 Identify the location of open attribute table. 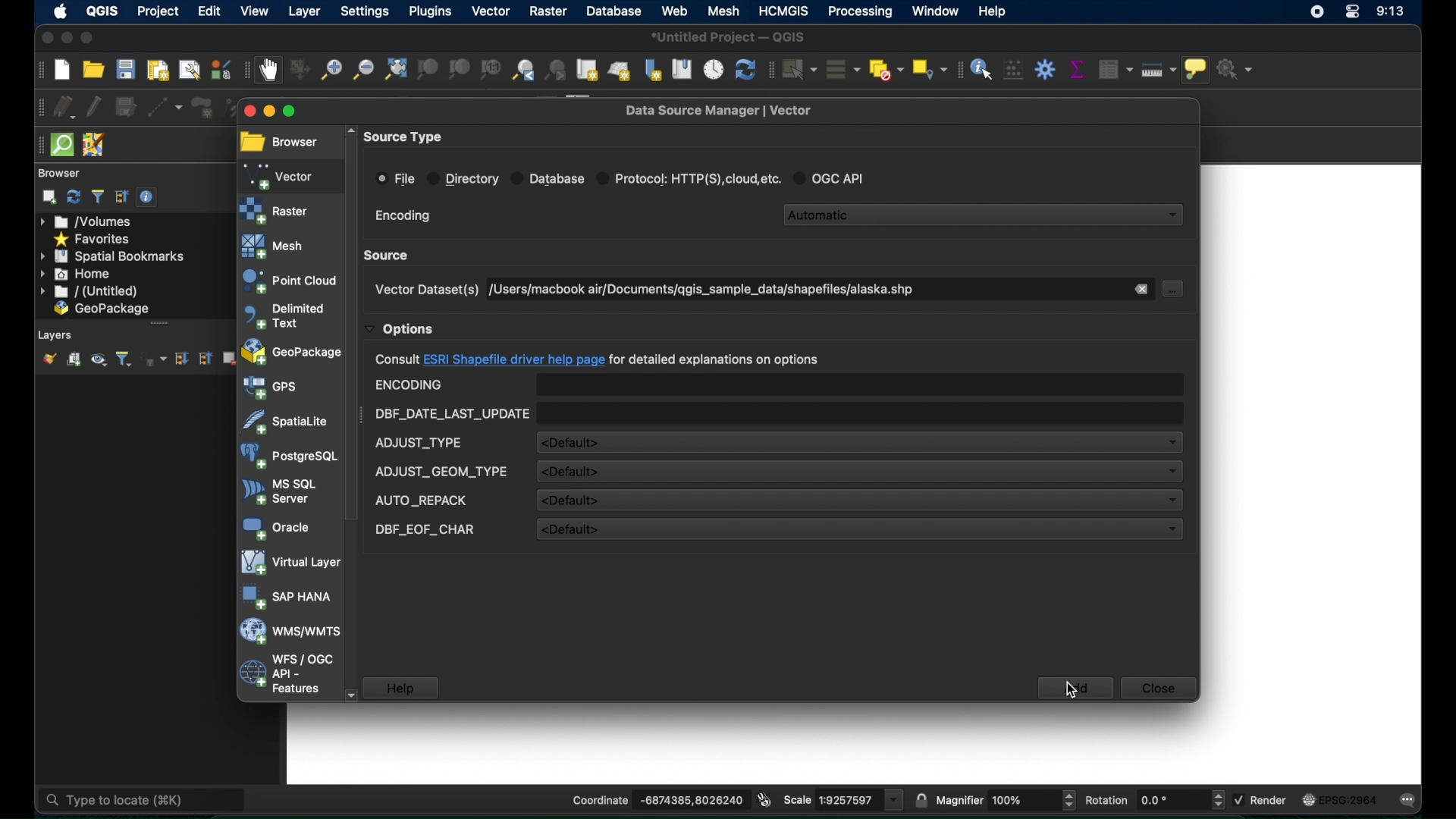
(1117, 69).